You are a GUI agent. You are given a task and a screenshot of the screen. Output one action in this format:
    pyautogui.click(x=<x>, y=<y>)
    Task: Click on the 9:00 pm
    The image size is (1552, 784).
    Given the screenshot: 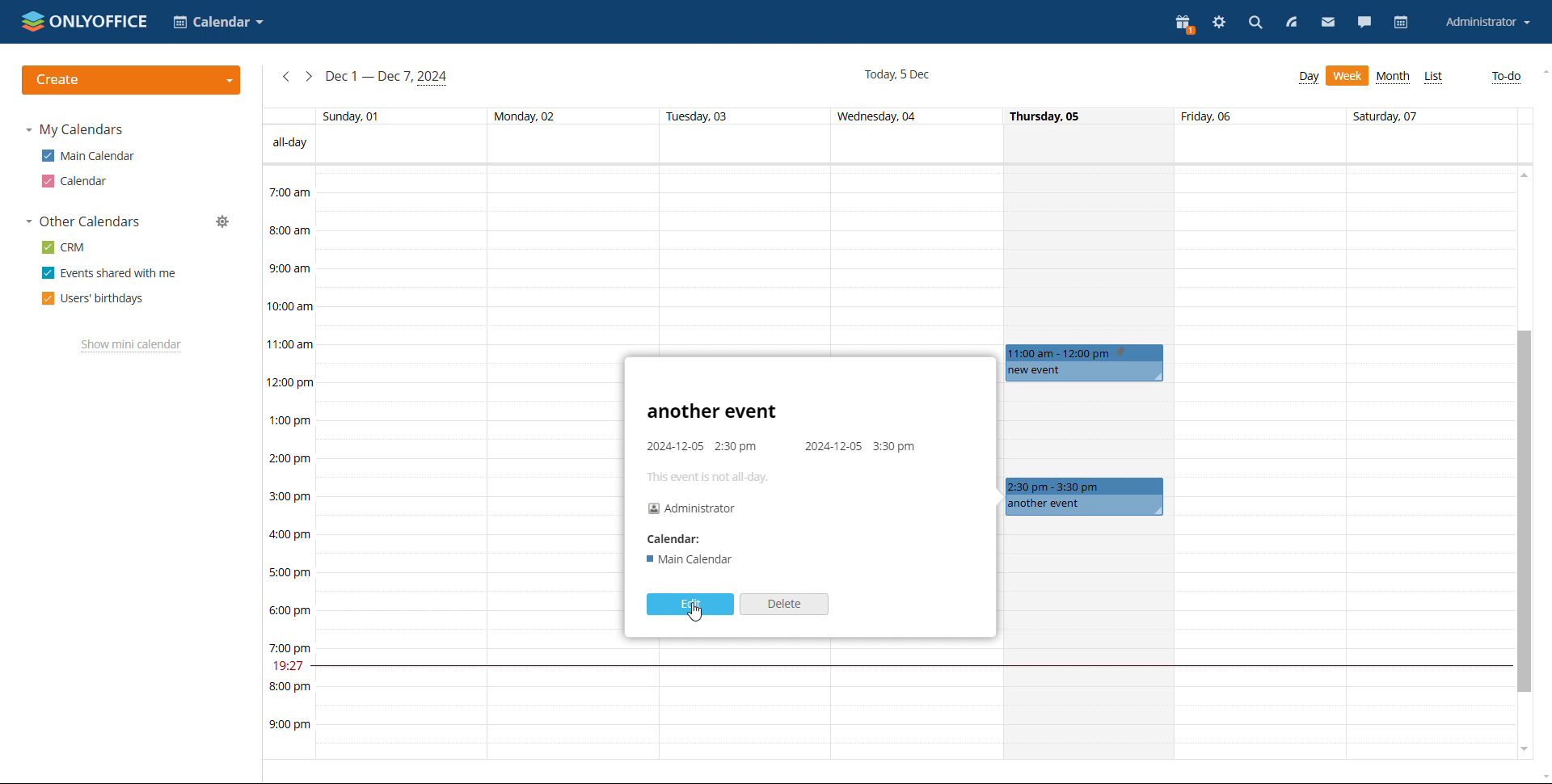 What is the action you would take?
    pyautogui.click(x=286, y=725)
    